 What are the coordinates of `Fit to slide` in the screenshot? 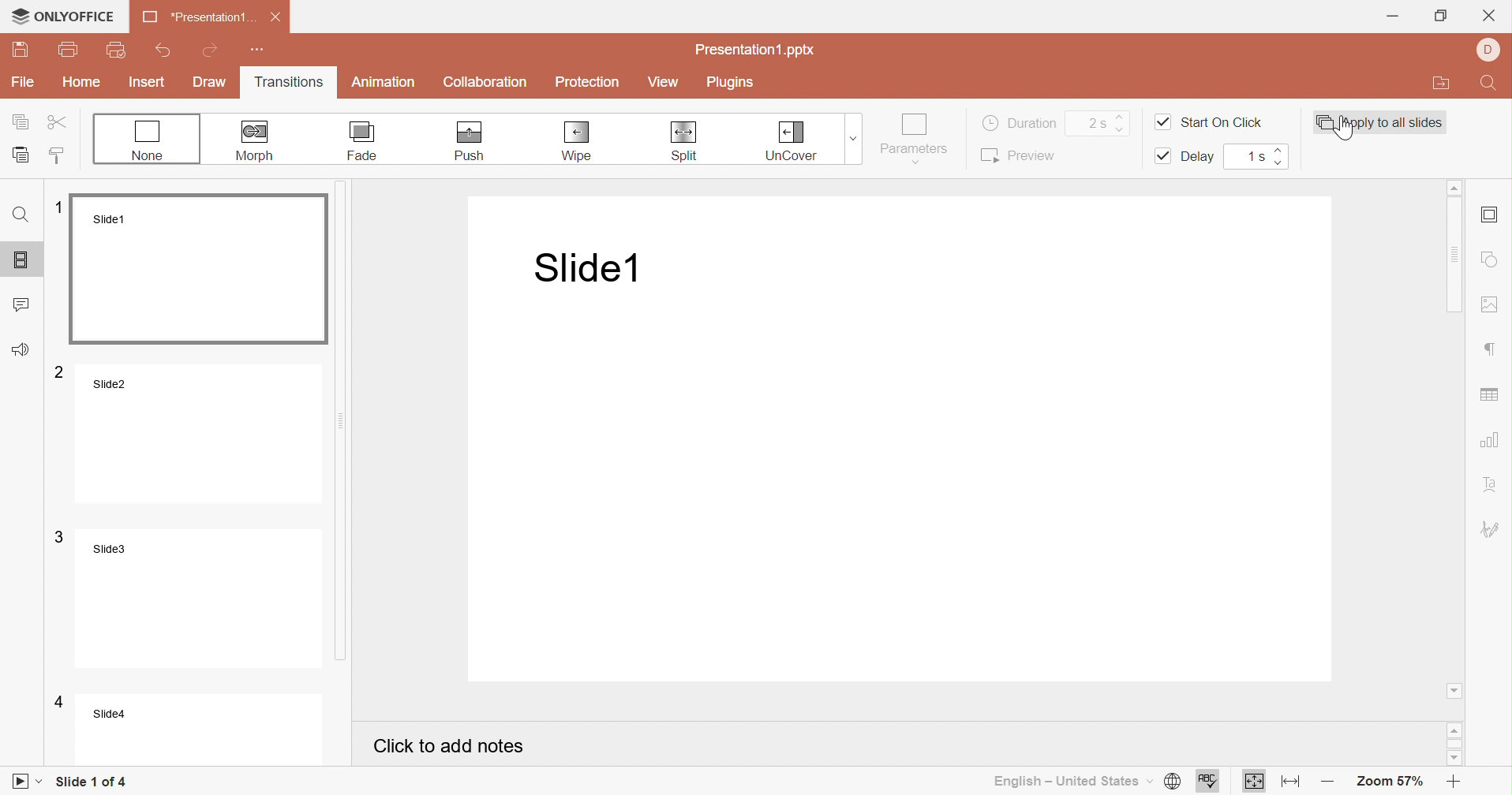 It's located at (1255, 783).